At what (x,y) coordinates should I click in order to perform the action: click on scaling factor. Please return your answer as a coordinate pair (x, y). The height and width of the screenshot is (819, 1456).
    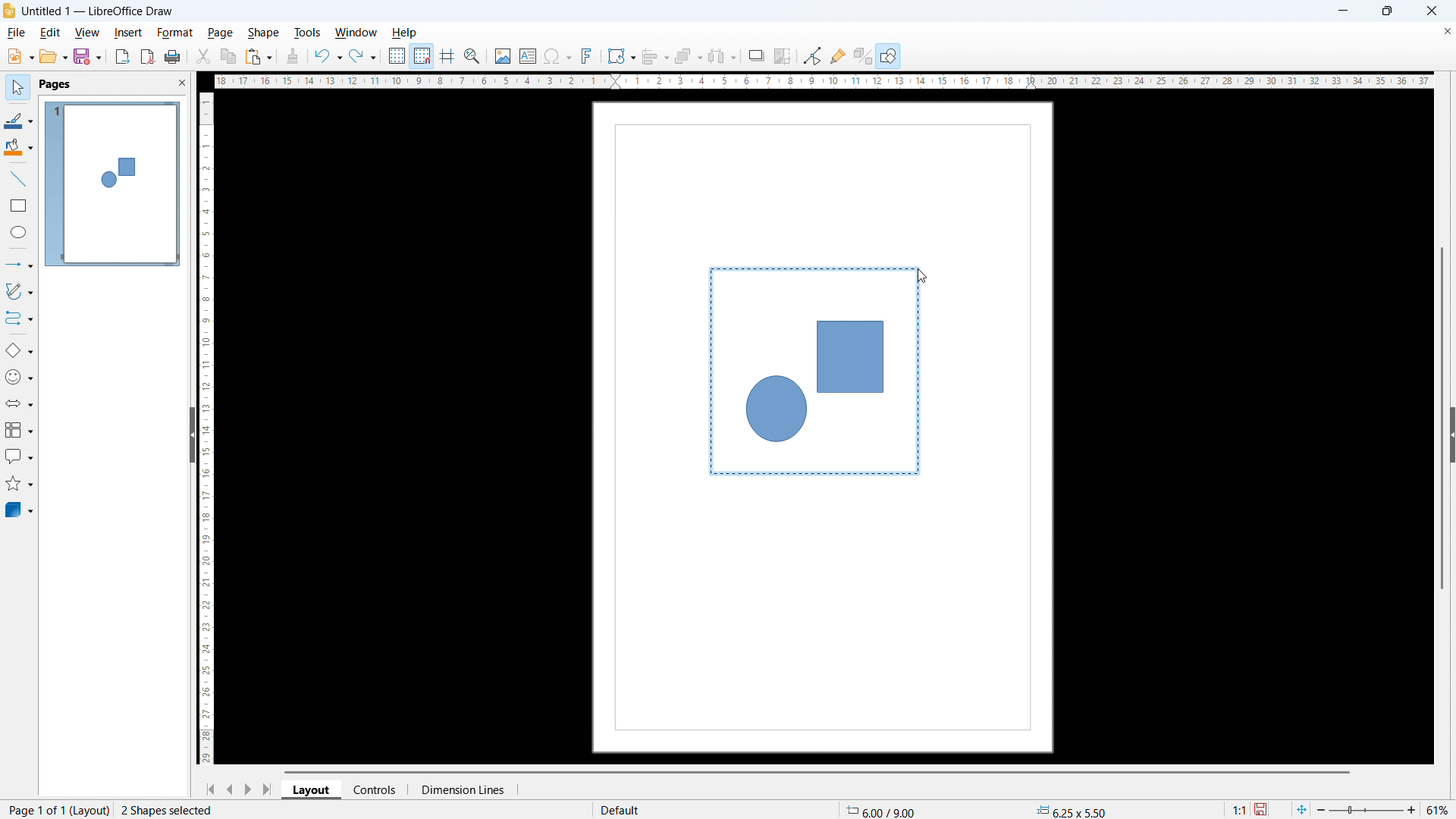
    Looking at the image, I should click on (1241, 809).